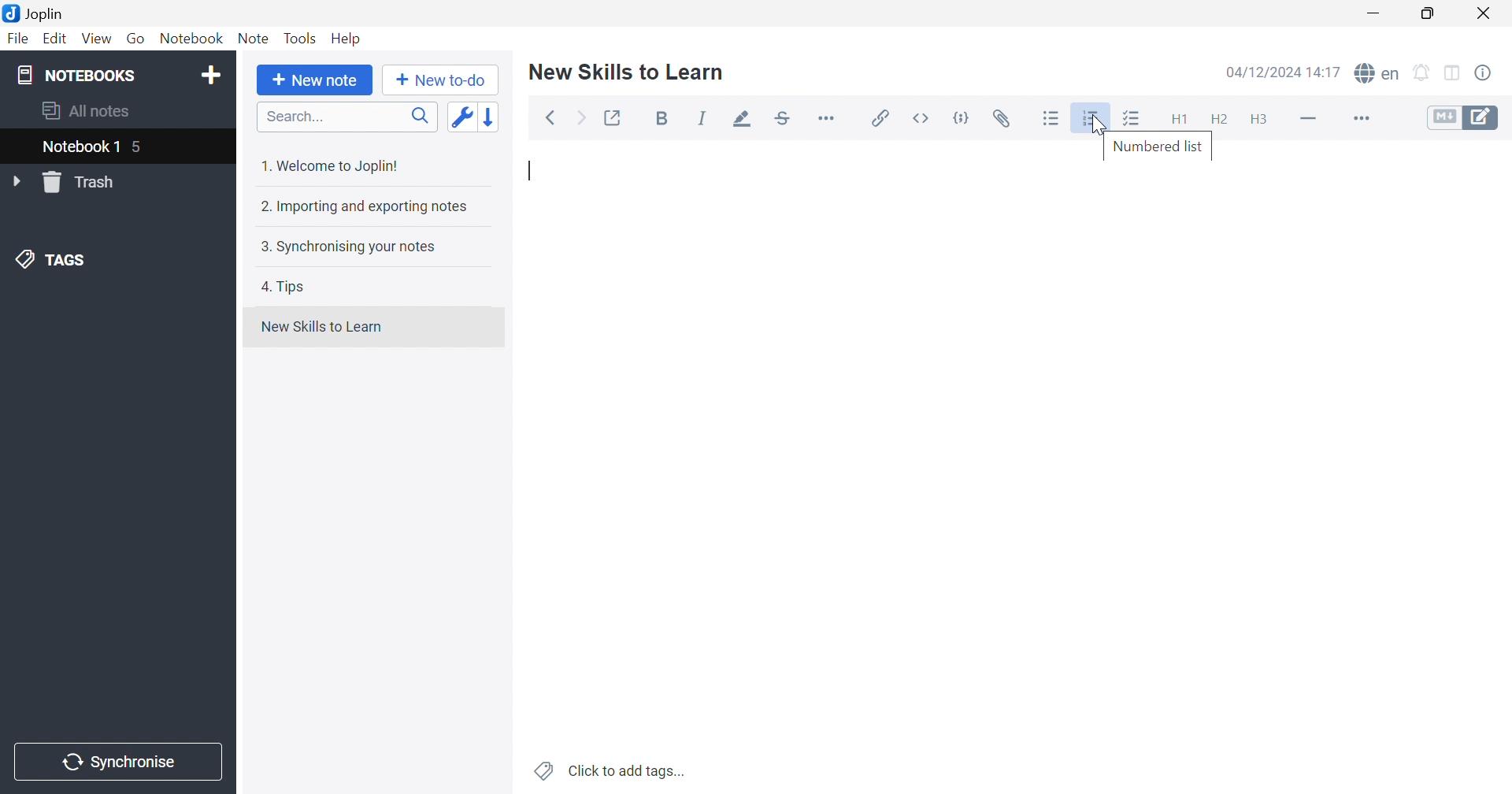 This screenshot has width=1512, height=794. I want to click on Edit, so click(53, 39).